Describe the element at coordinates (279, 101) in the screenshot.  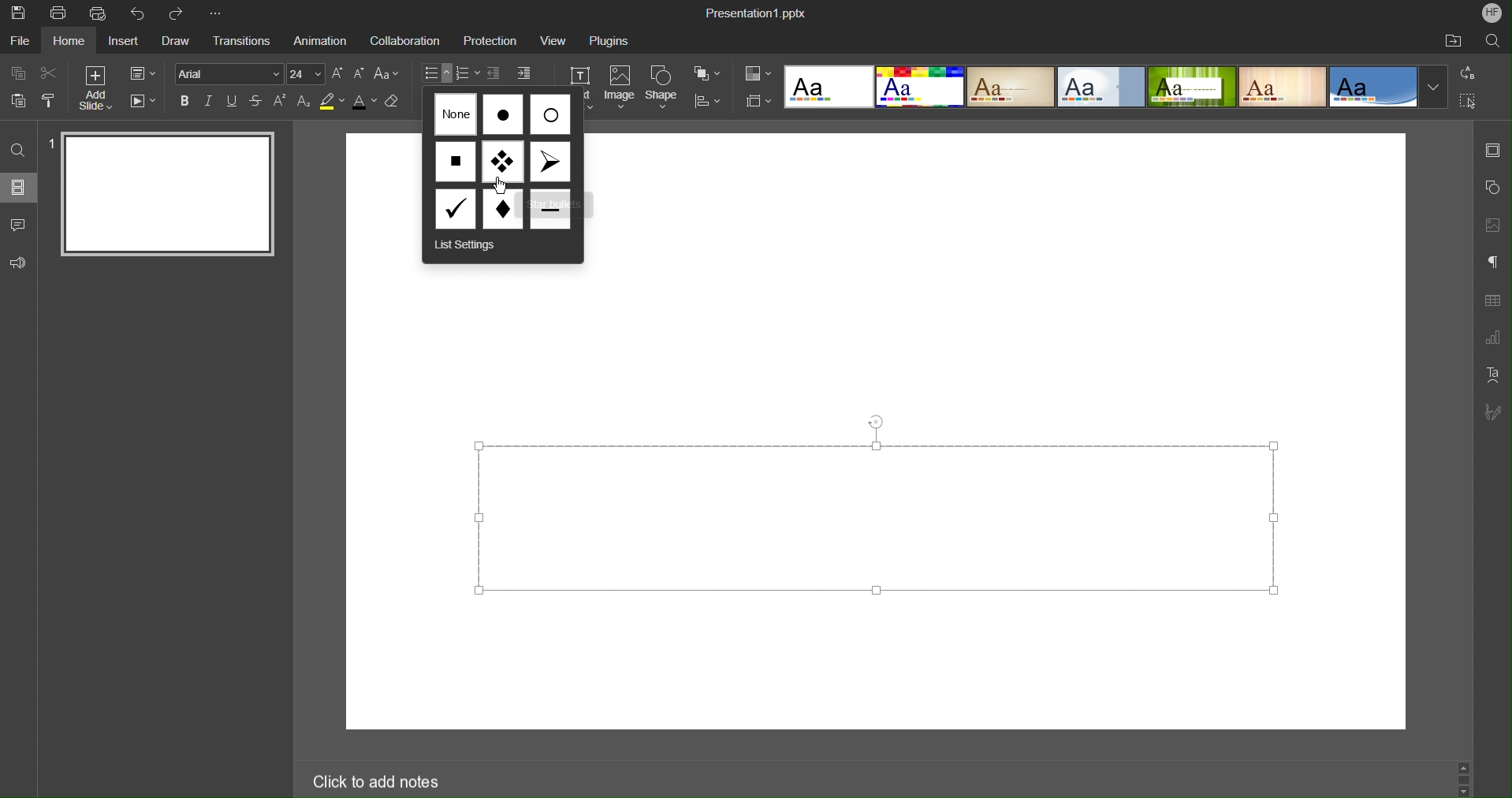
I see `Superscript` at that location.